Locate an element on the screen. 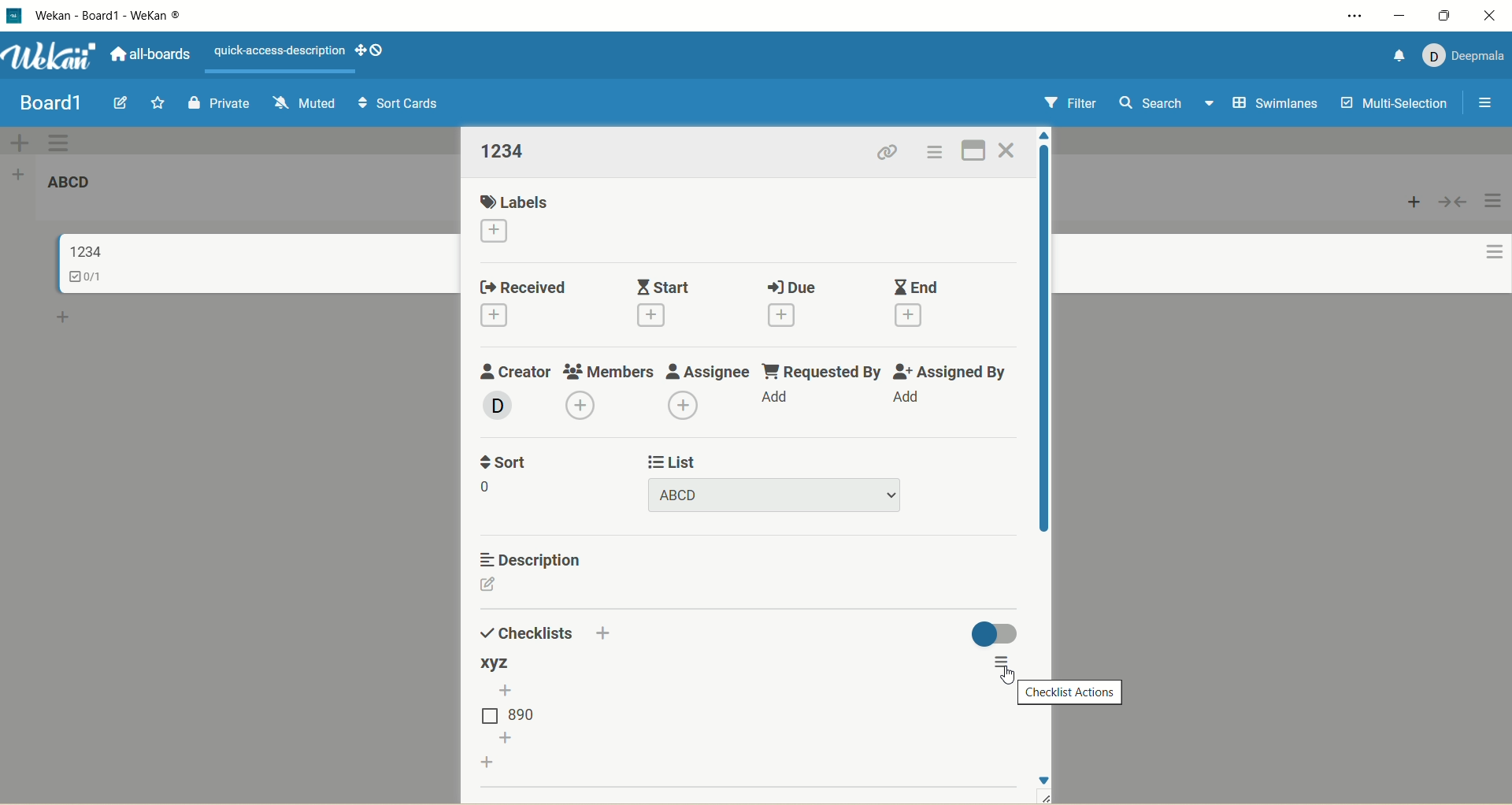  maximize is located at coordinates (1449, 14).